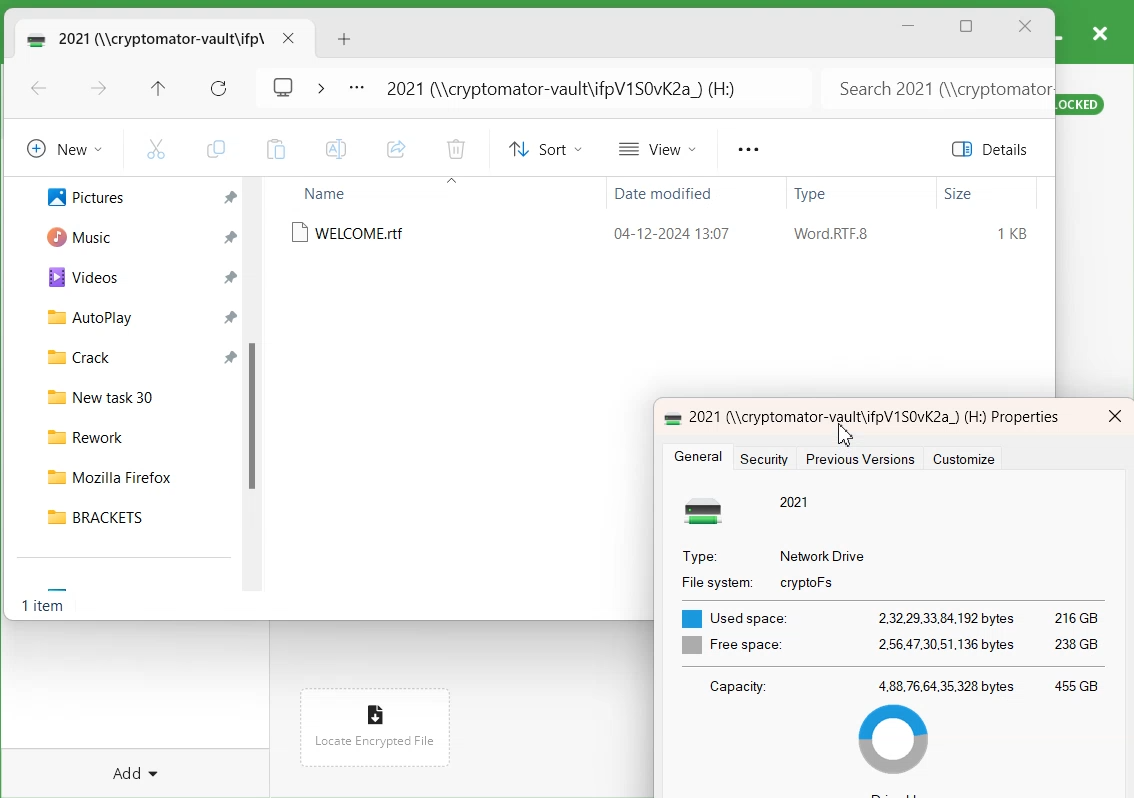 The width and height of the screenshot is (1134, 798). What do you see at coordinates (669, 416) in the screenshot?
I see `icon` at bounding box center [669, 416].